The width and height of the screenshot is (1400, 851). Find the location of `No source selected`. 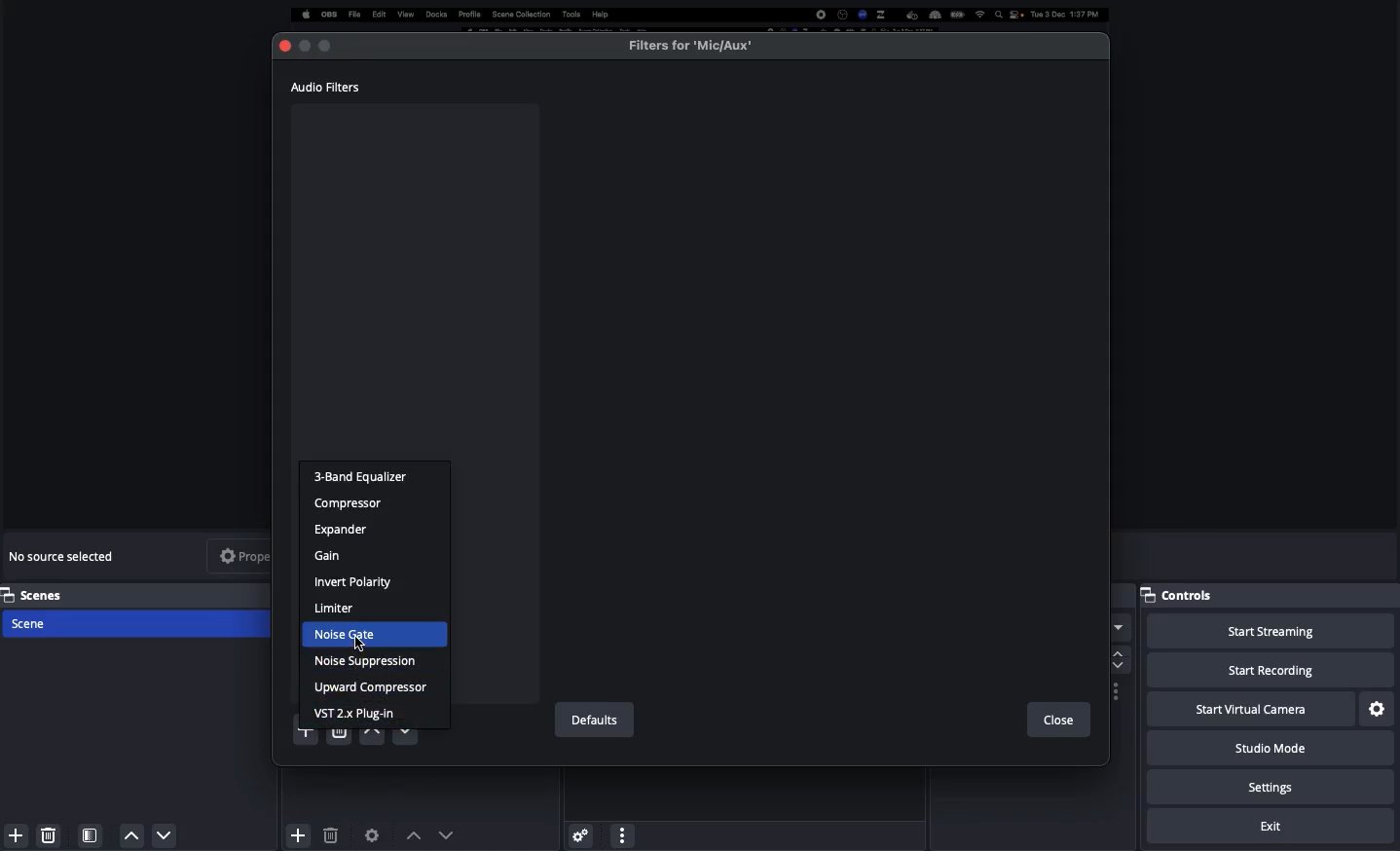

No source selected is located at coordinates (66, 556).